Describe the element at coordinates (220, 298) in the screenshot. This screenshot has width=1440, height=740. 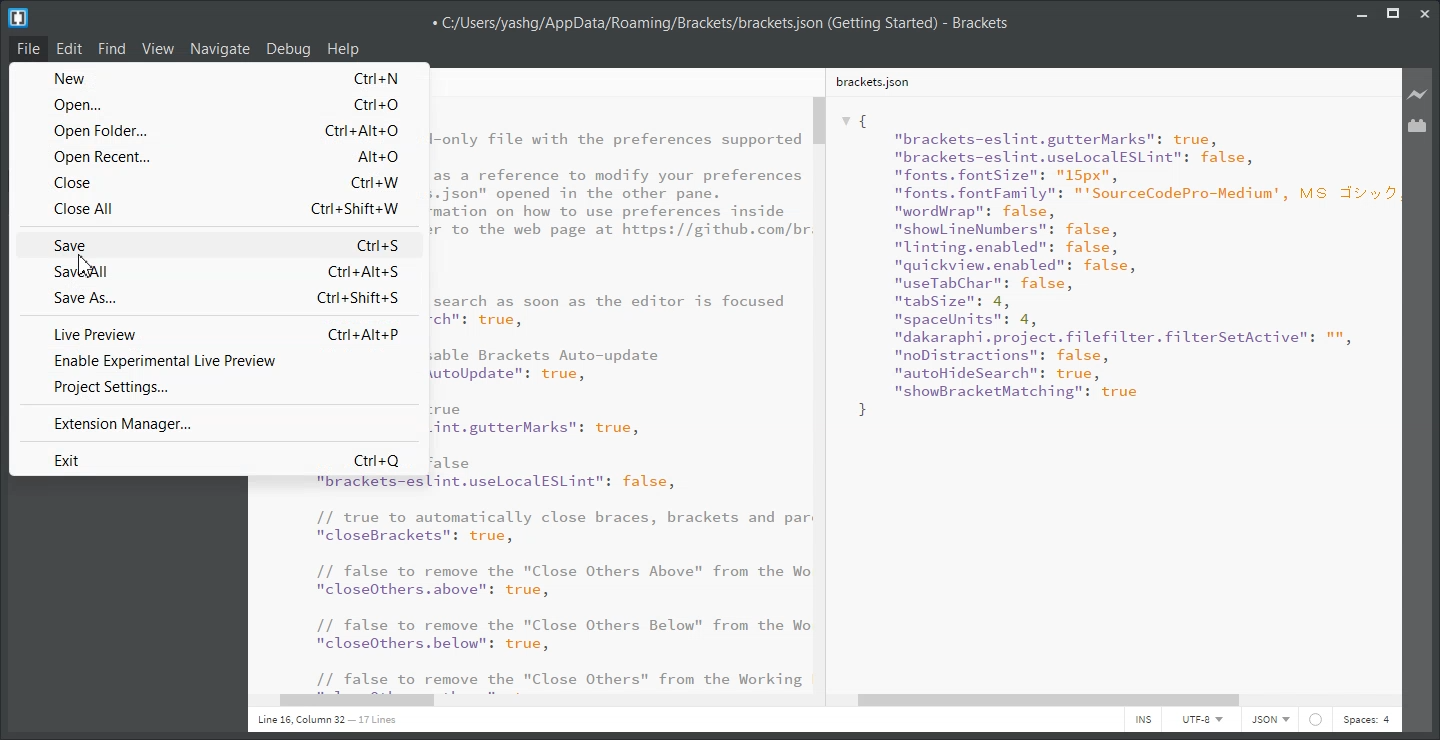
I see `Save As...    Ctrl+Shift+S` at that location.